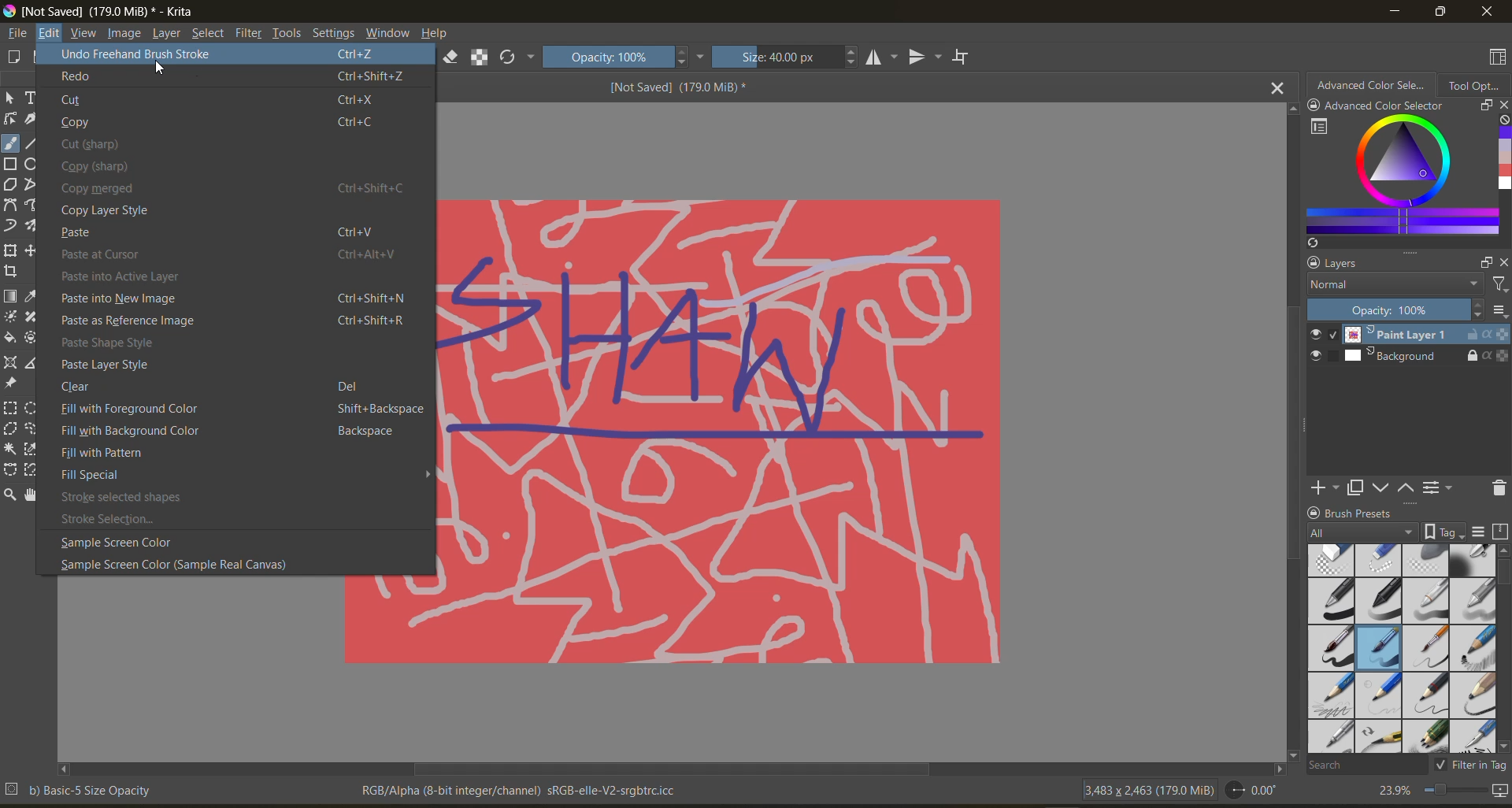 The image size is (1512, 808). Describe the element at coordinates (10, 183) in the screenshot. I see `polygon tool` at that location.